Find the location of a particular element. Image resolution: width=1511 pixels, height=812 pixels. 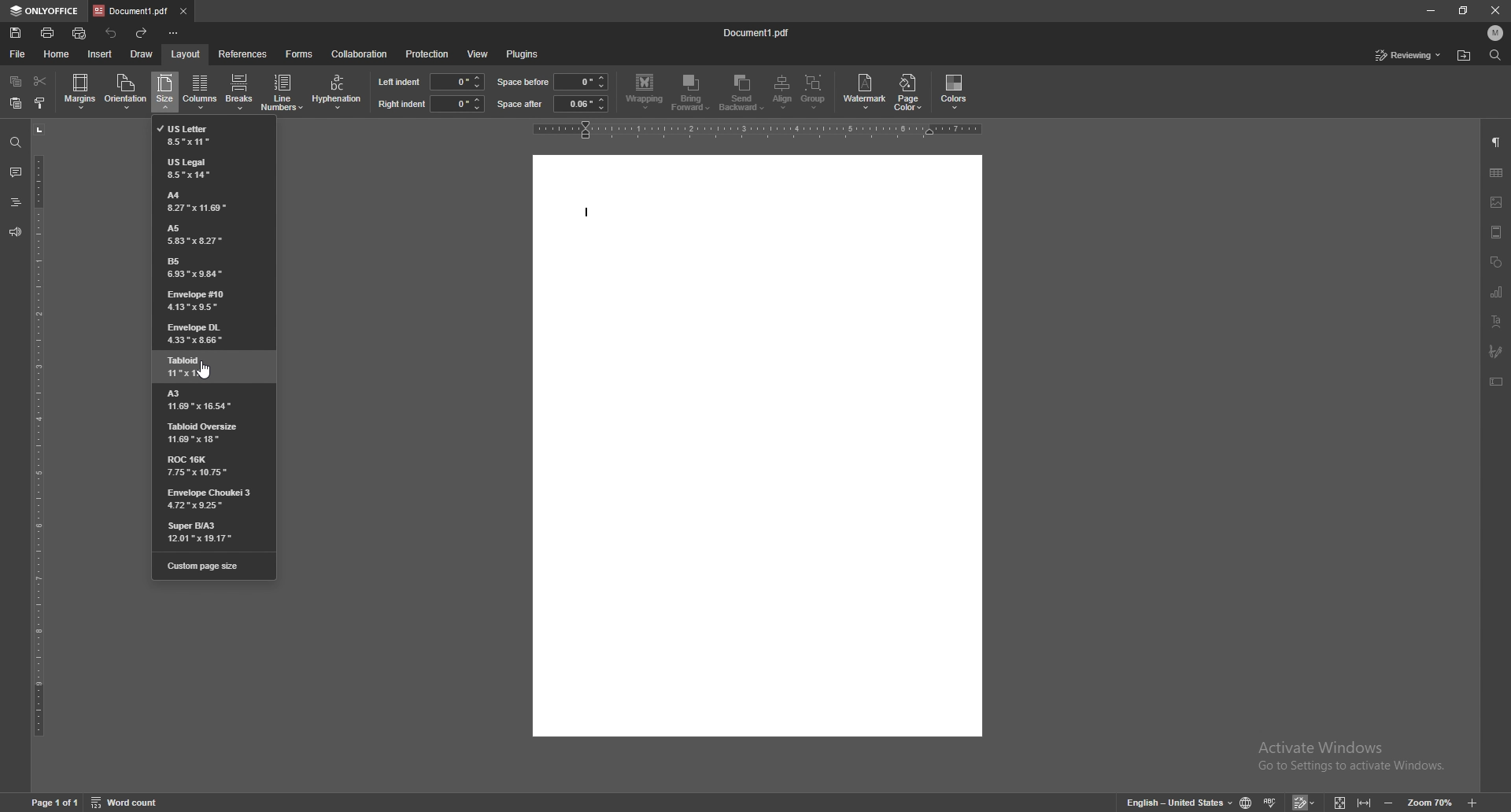

signature is located at coordinates (1495, 351).